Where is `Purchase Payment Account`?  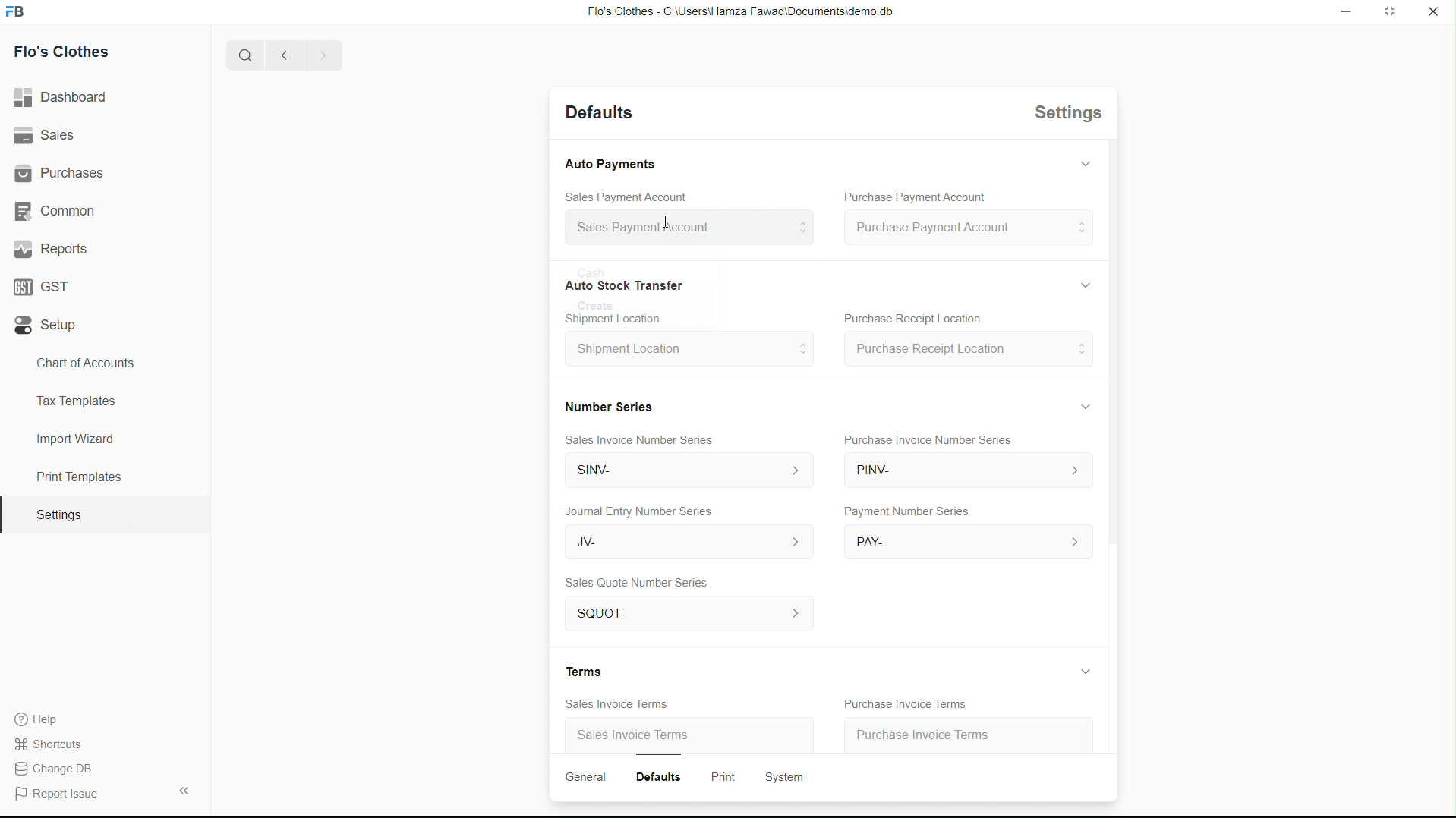
Purchase Payment Account is located at coordinates (966, 228).